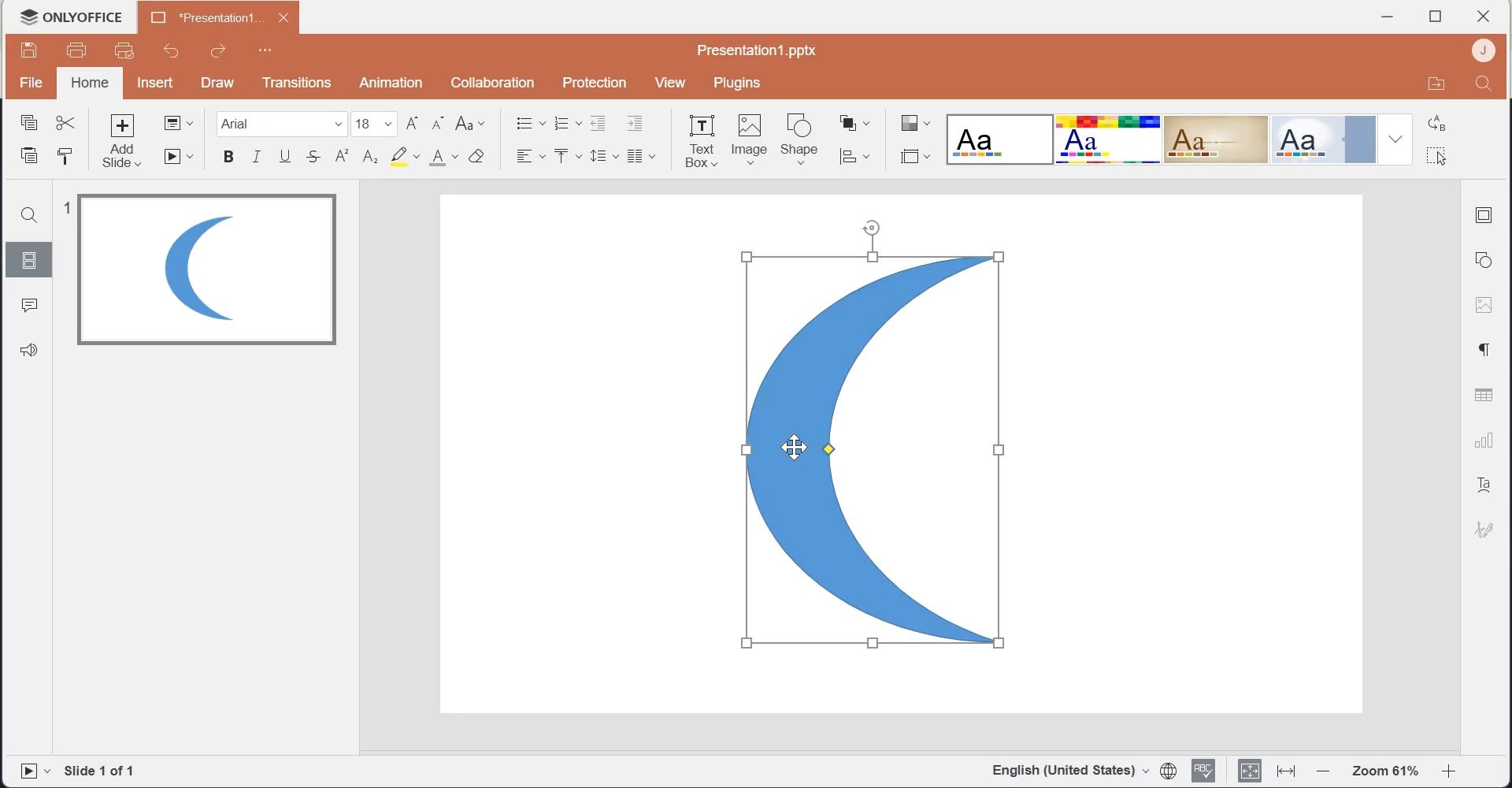 Image resolution: width=1512 pixels, height=788 pixels. I want to click on close, so click(283, 17).